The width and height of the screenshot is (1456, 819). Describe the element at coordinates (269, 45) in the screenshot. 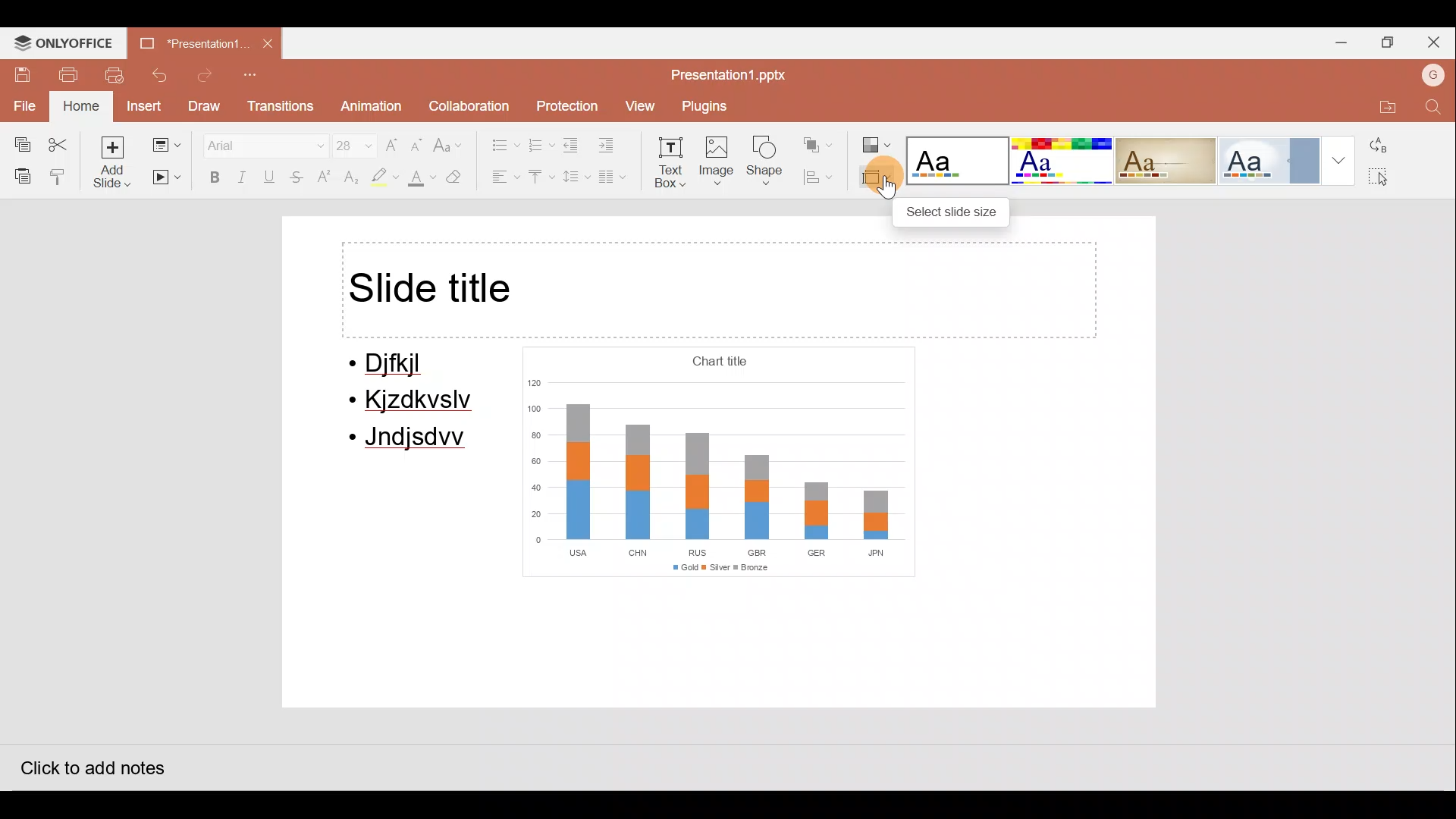

I see `Close document` at that location.